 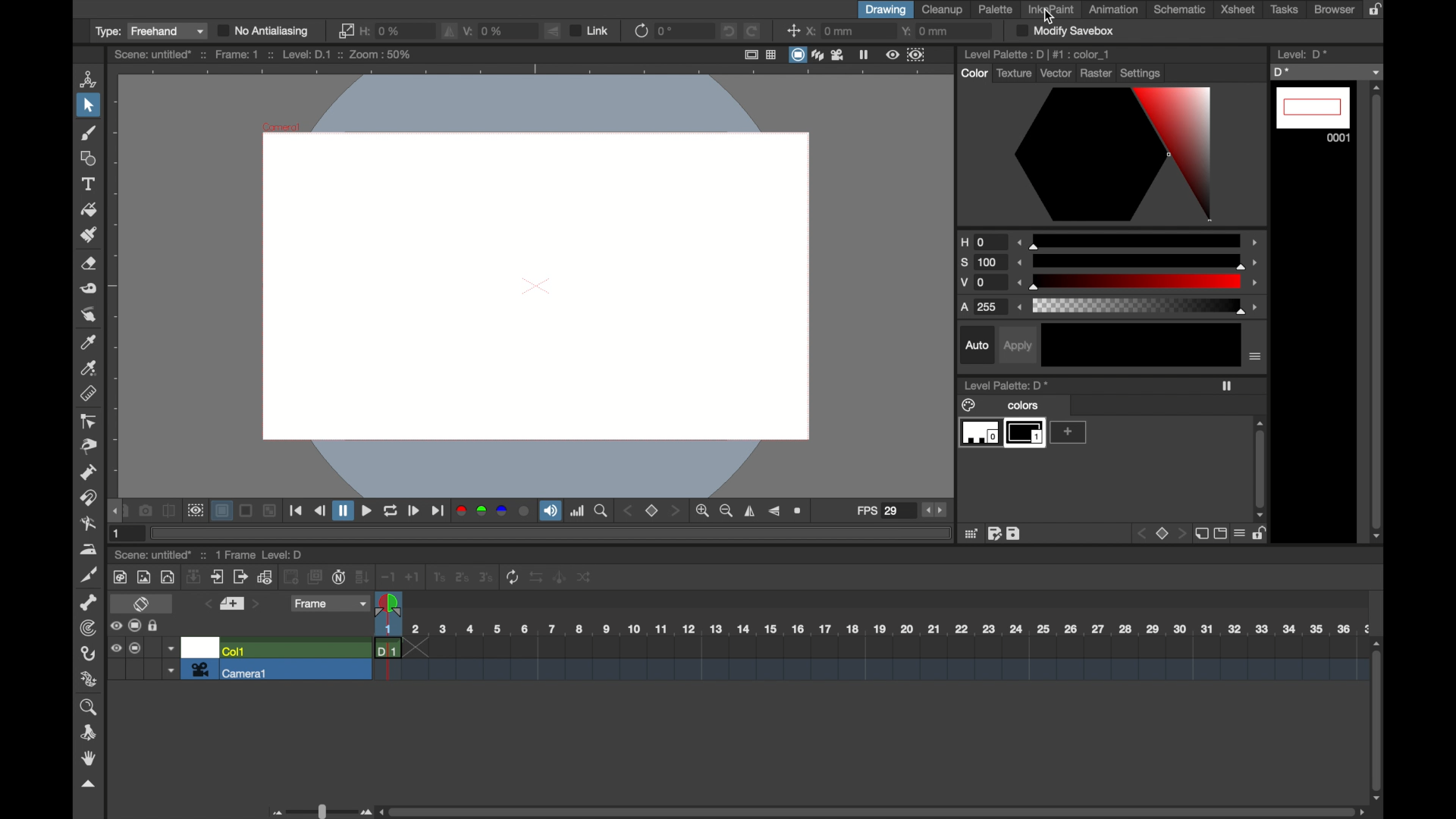 What do you see at coordinates (482, 510) in the screenshot?
I see `green` at bounding box center [482, 510].